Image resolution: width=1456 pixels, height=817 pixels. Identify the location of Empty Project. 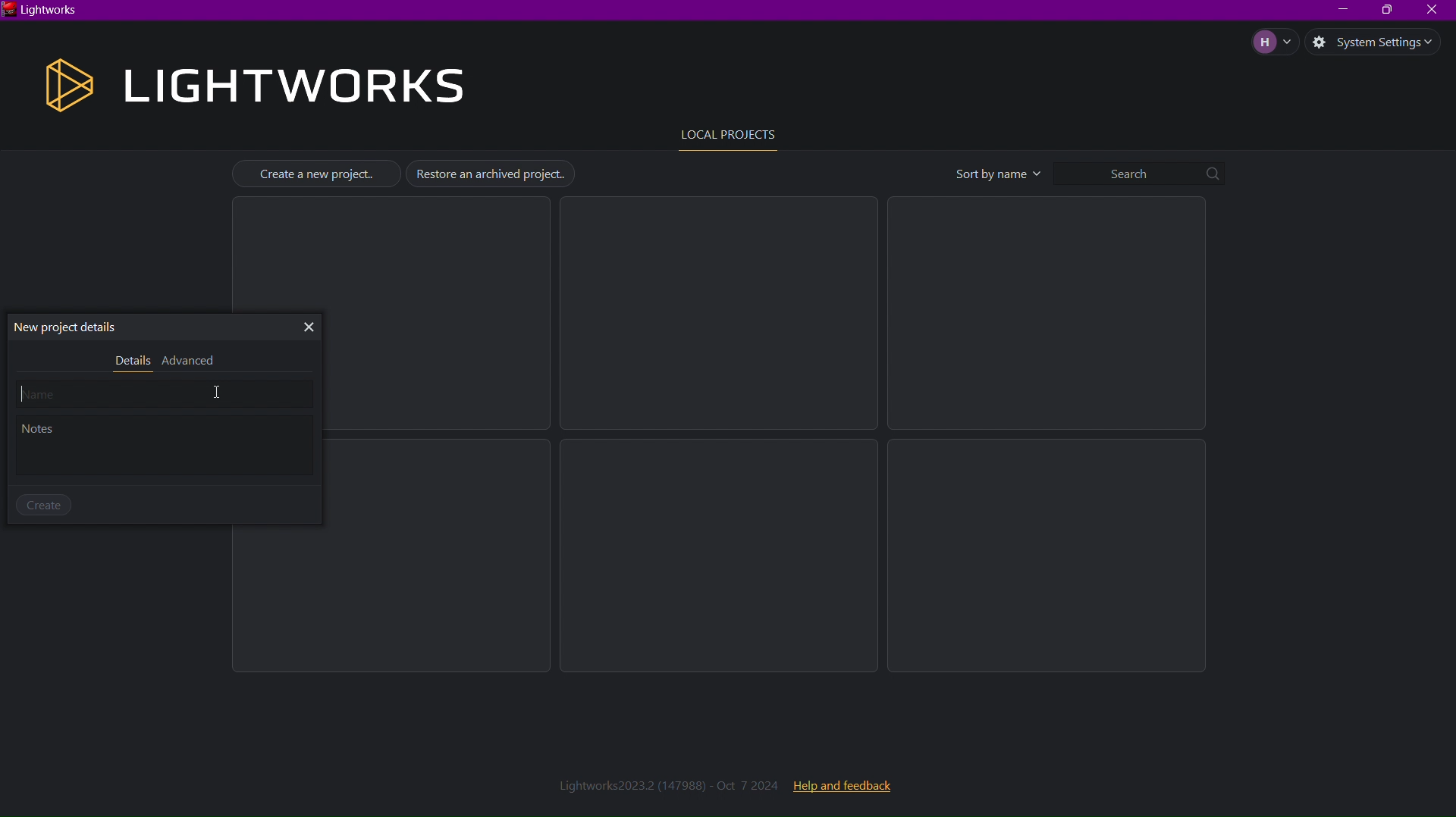
(721, 556).